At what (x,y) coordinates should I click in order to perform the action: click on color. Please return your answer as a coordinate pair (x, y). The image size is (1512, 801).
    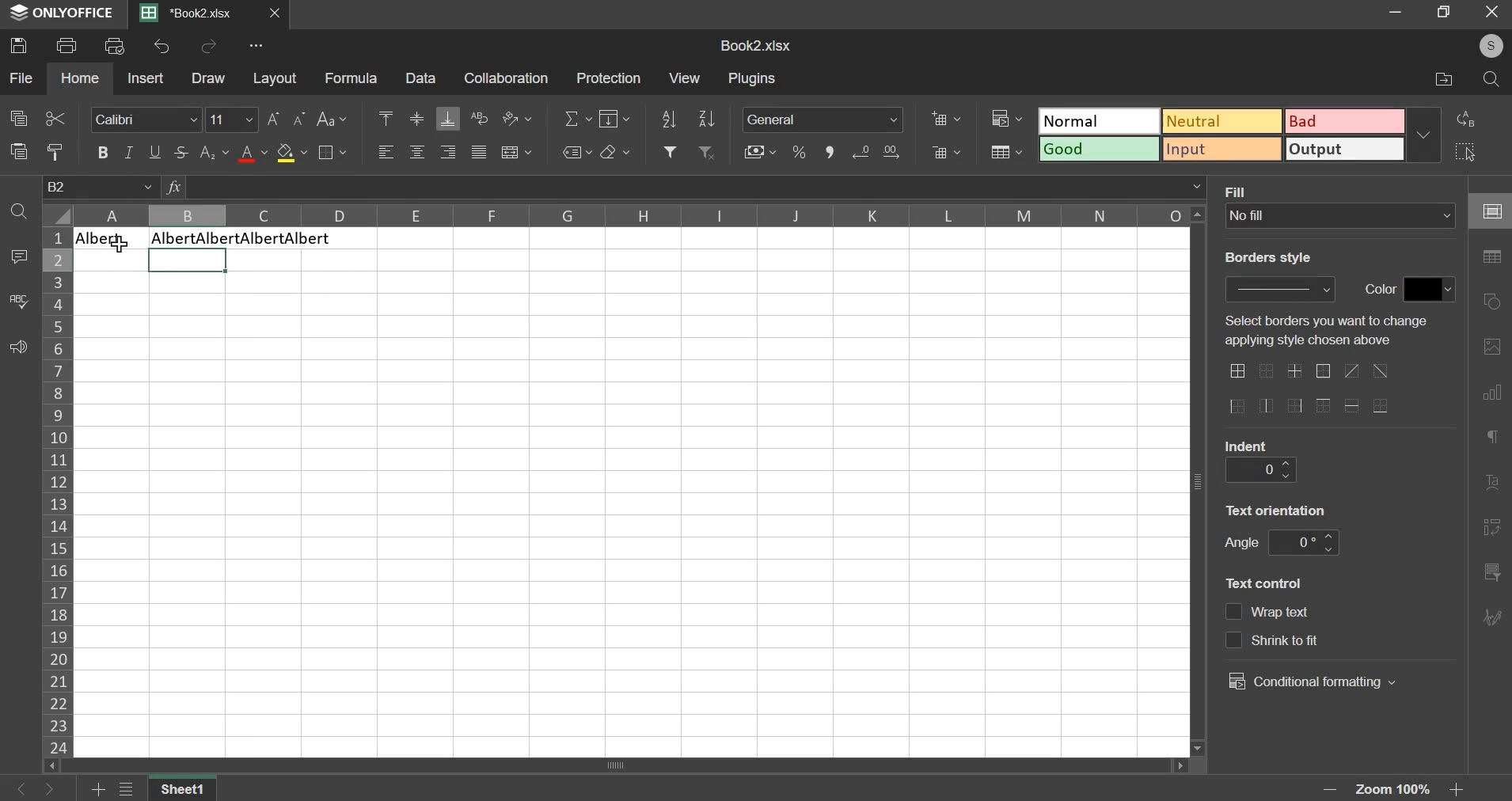
    Looking at the image, I should click on (1432, 289).